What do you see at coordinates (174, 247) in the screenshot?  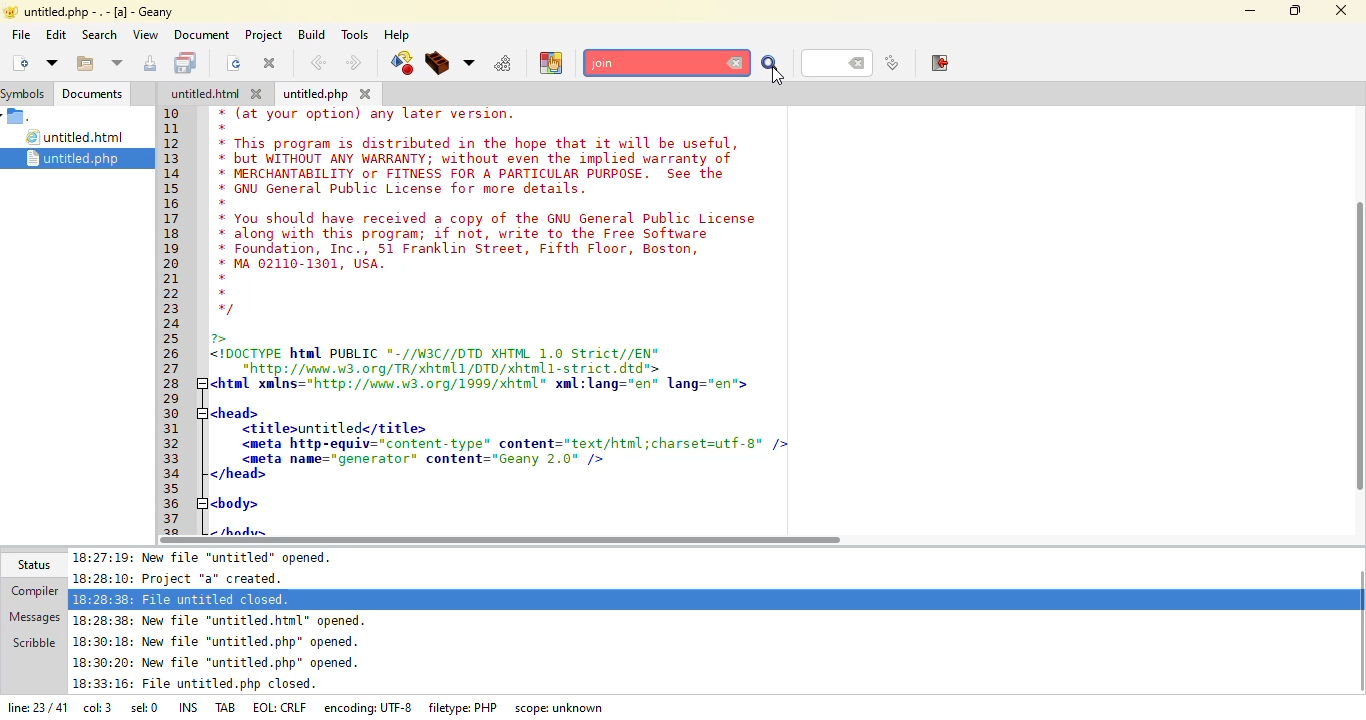 I see `19` at bounding box center [174, 247].